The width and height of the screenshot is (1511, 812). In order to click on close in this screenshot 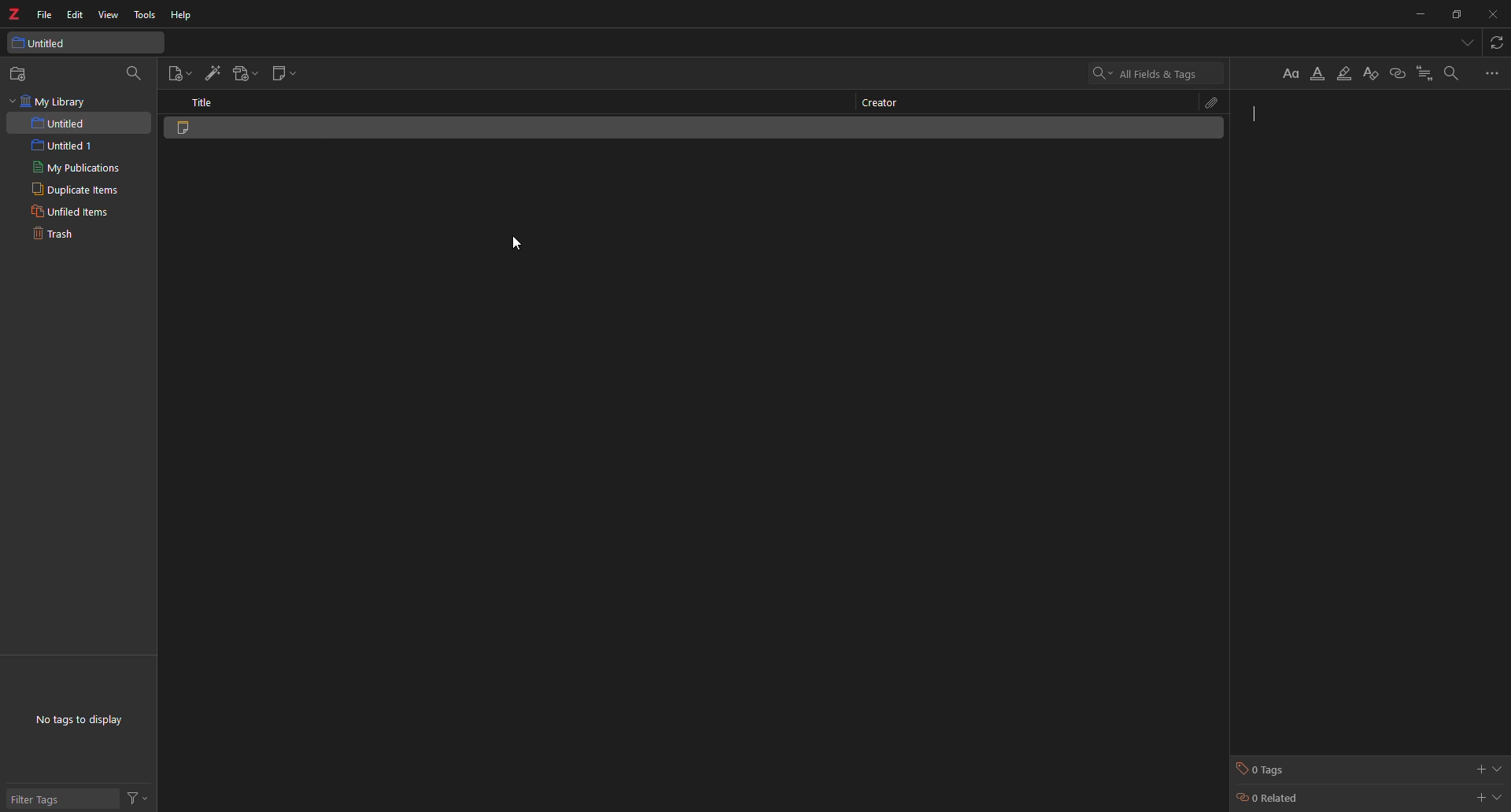, I will do `click(1494, 15)`.